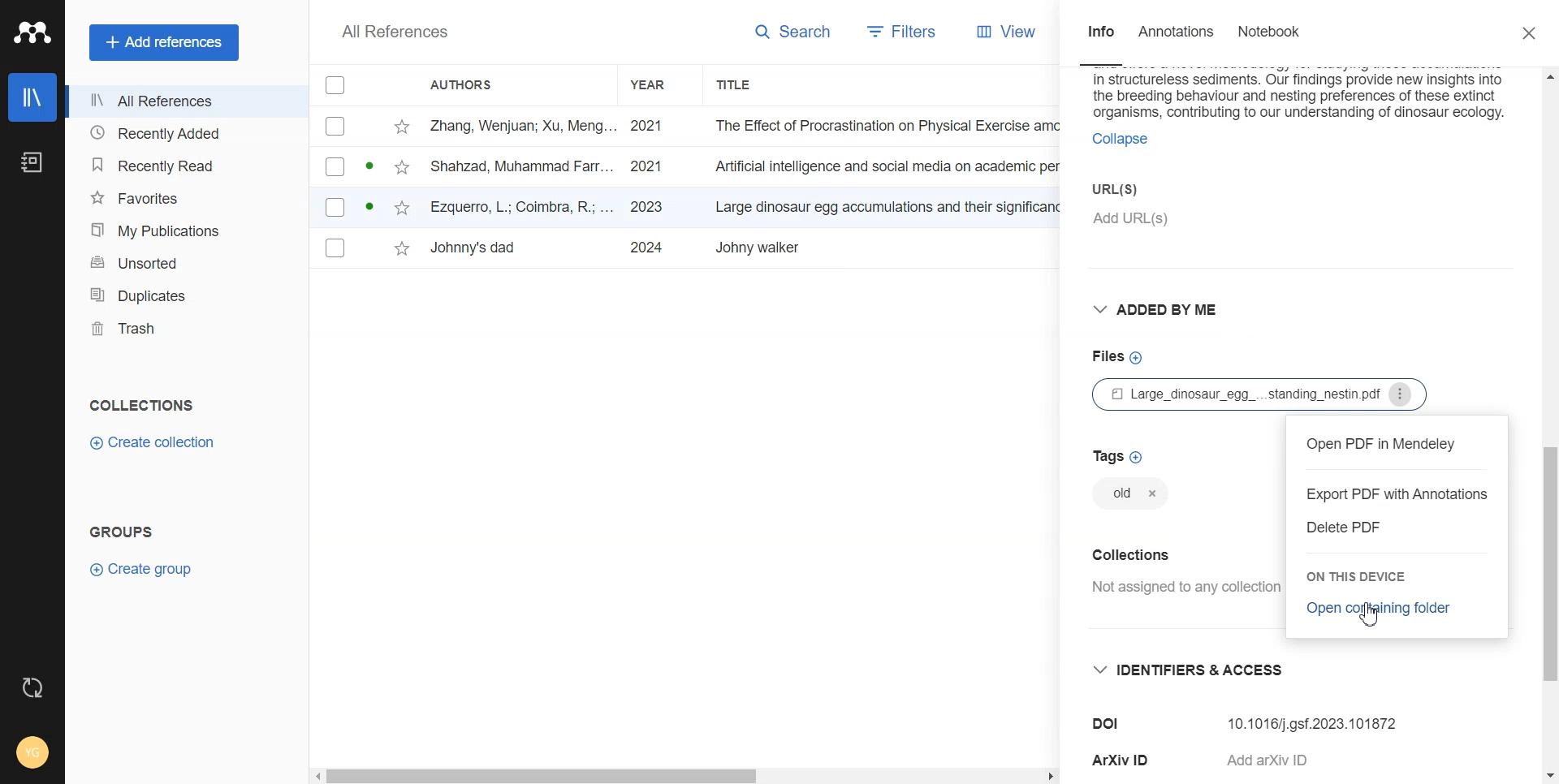 This screenshot has height=784, width=1559. What do you see at coordinates (875, 247) in the screenshot?
I see `Title` at bounding box center [875, 247].